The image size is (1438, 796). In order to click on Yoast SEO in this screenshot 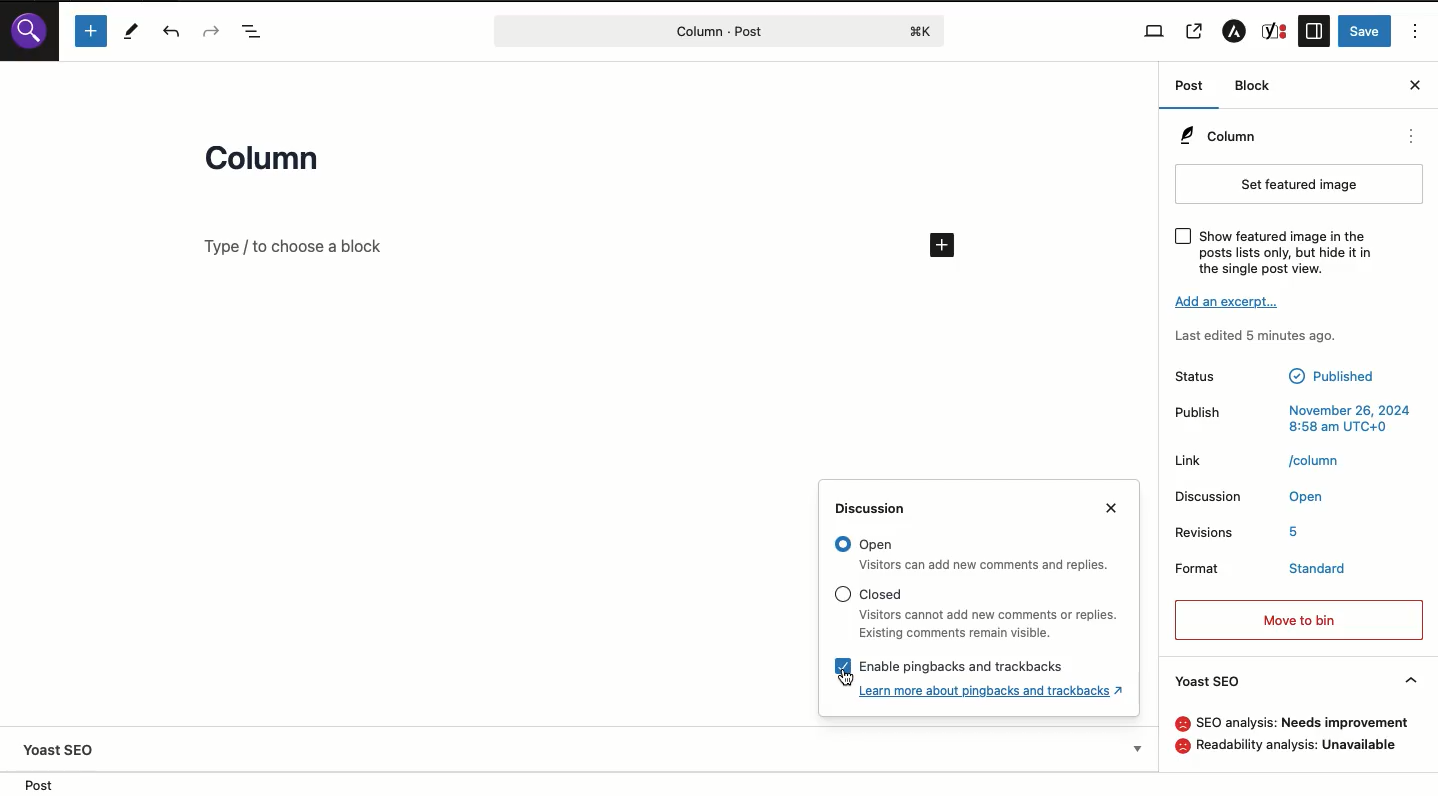, I will do `click(1296, 681)`.